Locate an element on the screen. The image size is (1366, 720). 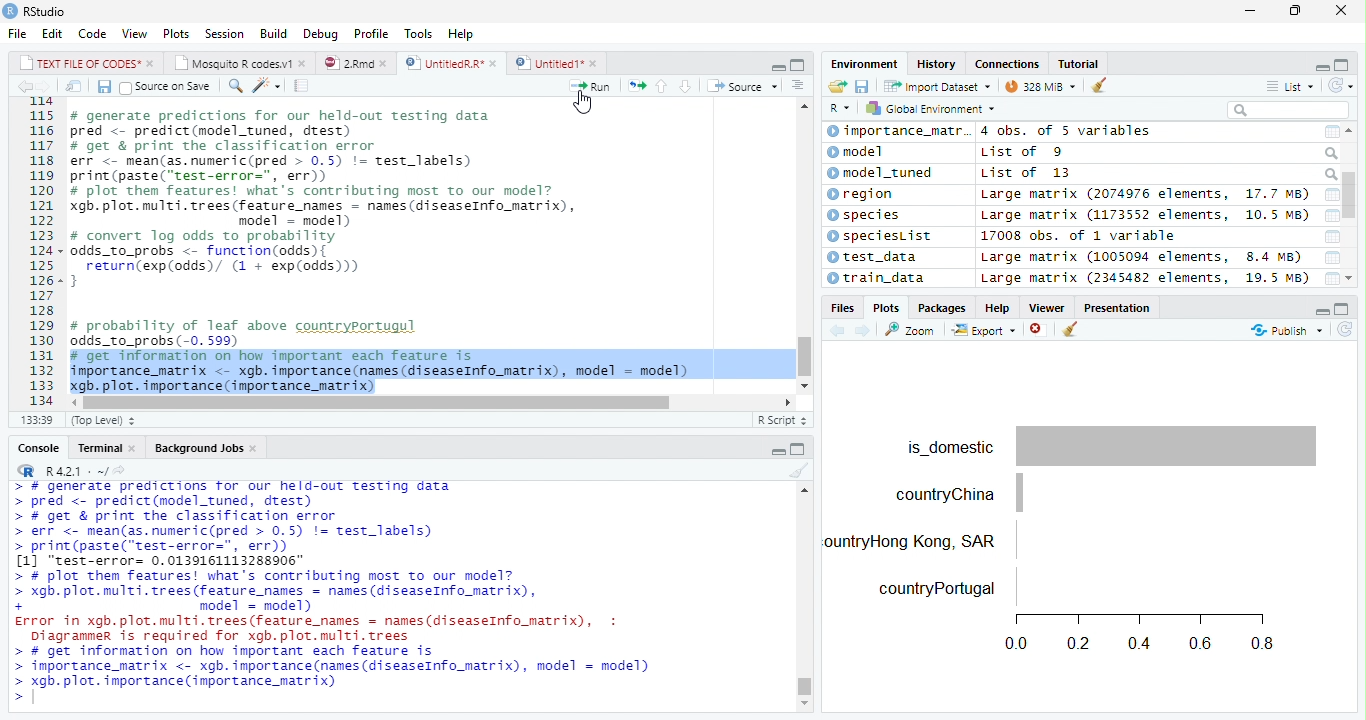
Export is located at coordinates (984, 330).